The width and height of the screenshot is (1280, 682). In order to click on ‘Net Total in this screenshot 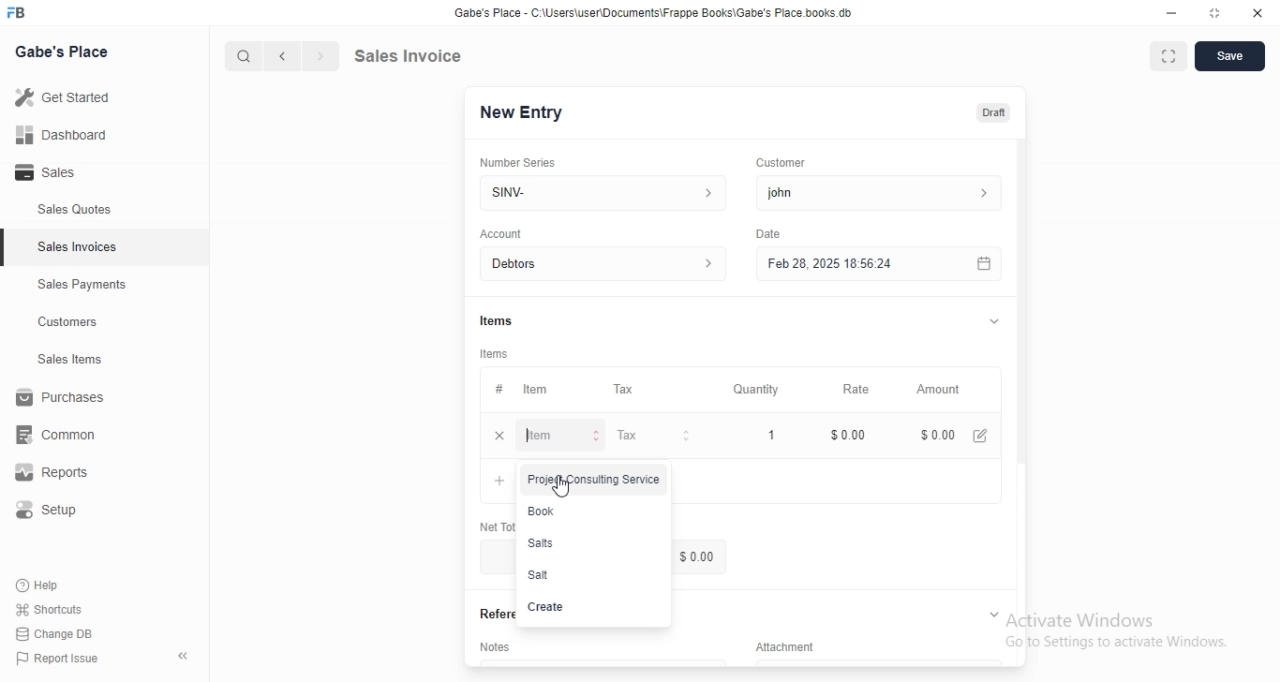, I will do `click(494, 524)`.